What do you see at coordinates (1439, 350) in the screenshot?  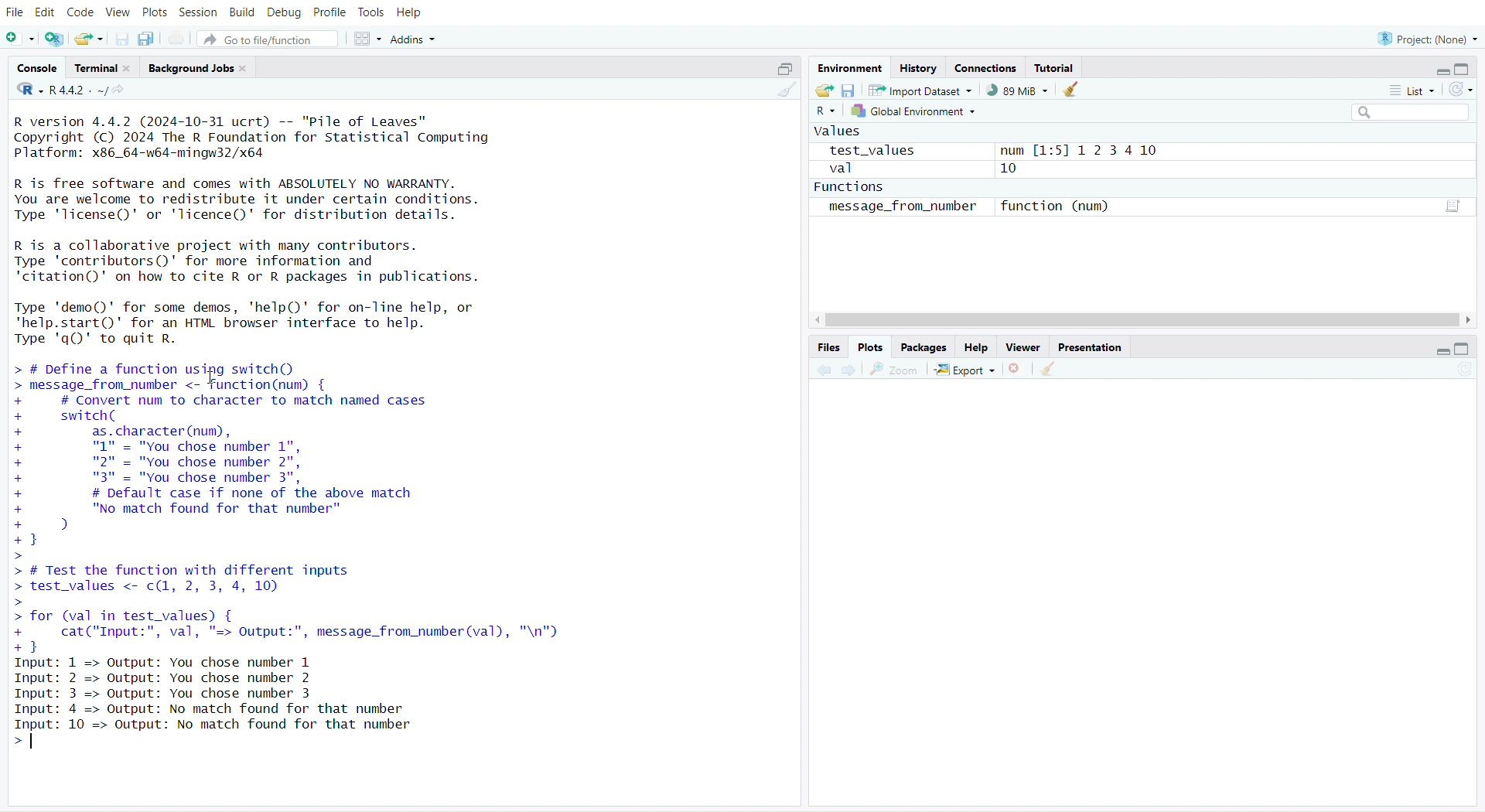 I see `Minimize` at bounding box center [1439, 350].